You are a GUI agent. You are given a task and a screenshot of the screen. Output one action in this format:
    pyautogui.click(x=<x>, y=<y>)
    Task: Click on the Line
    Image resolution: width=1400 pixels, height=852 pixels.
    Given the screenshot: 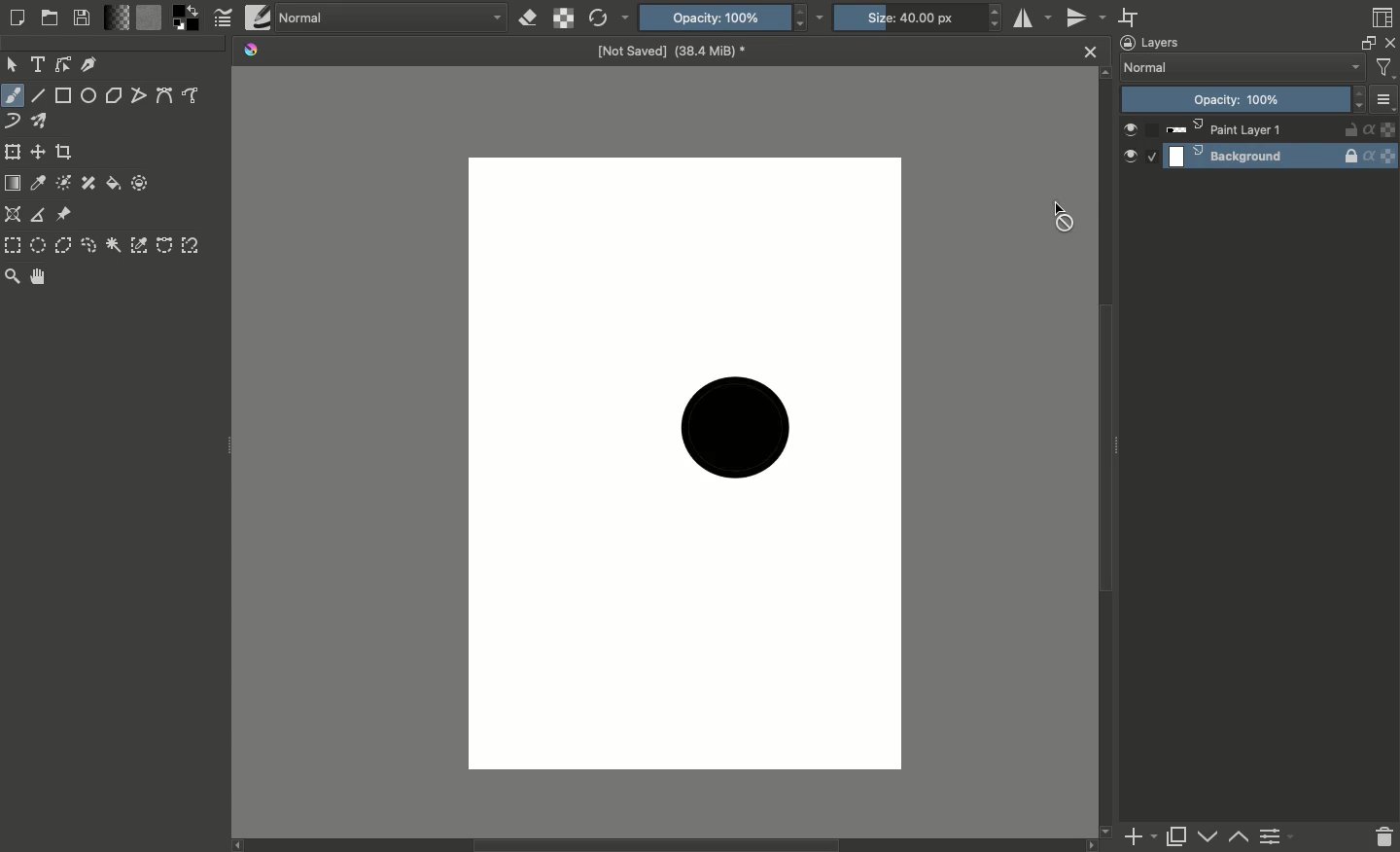 What is the action you would take?
    pyautogui.click(x=40, y=94)
    